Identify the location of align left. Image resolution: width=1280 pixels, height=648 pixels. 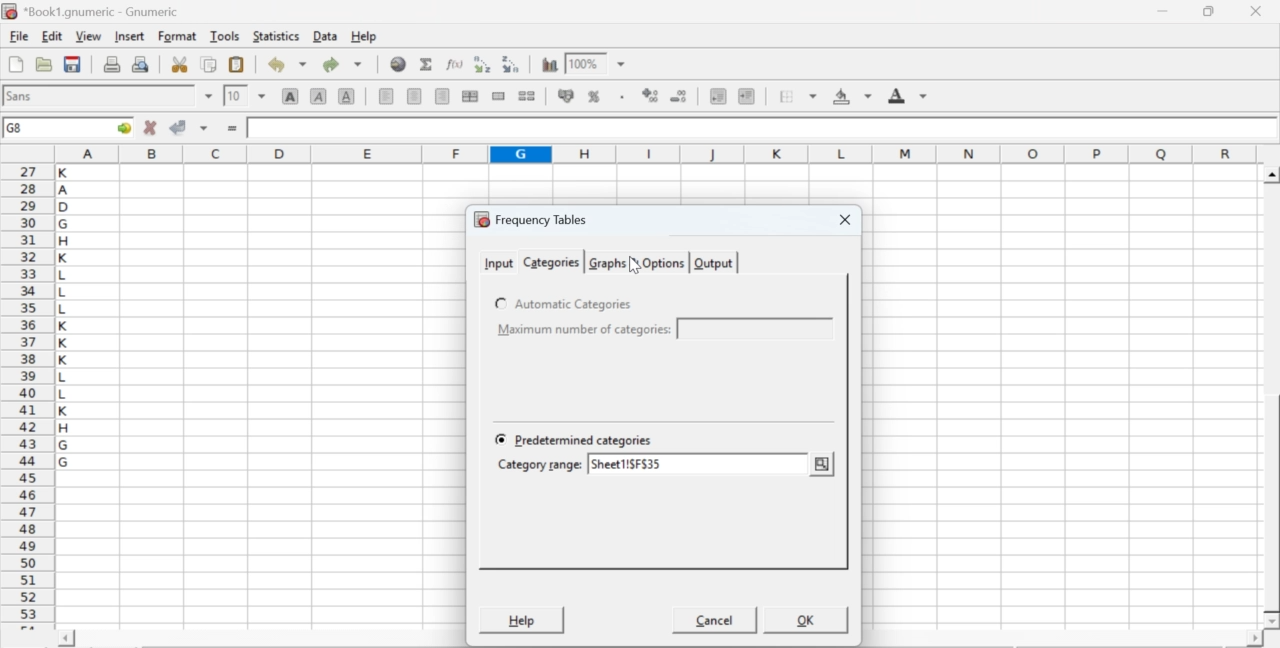
(386, 94).